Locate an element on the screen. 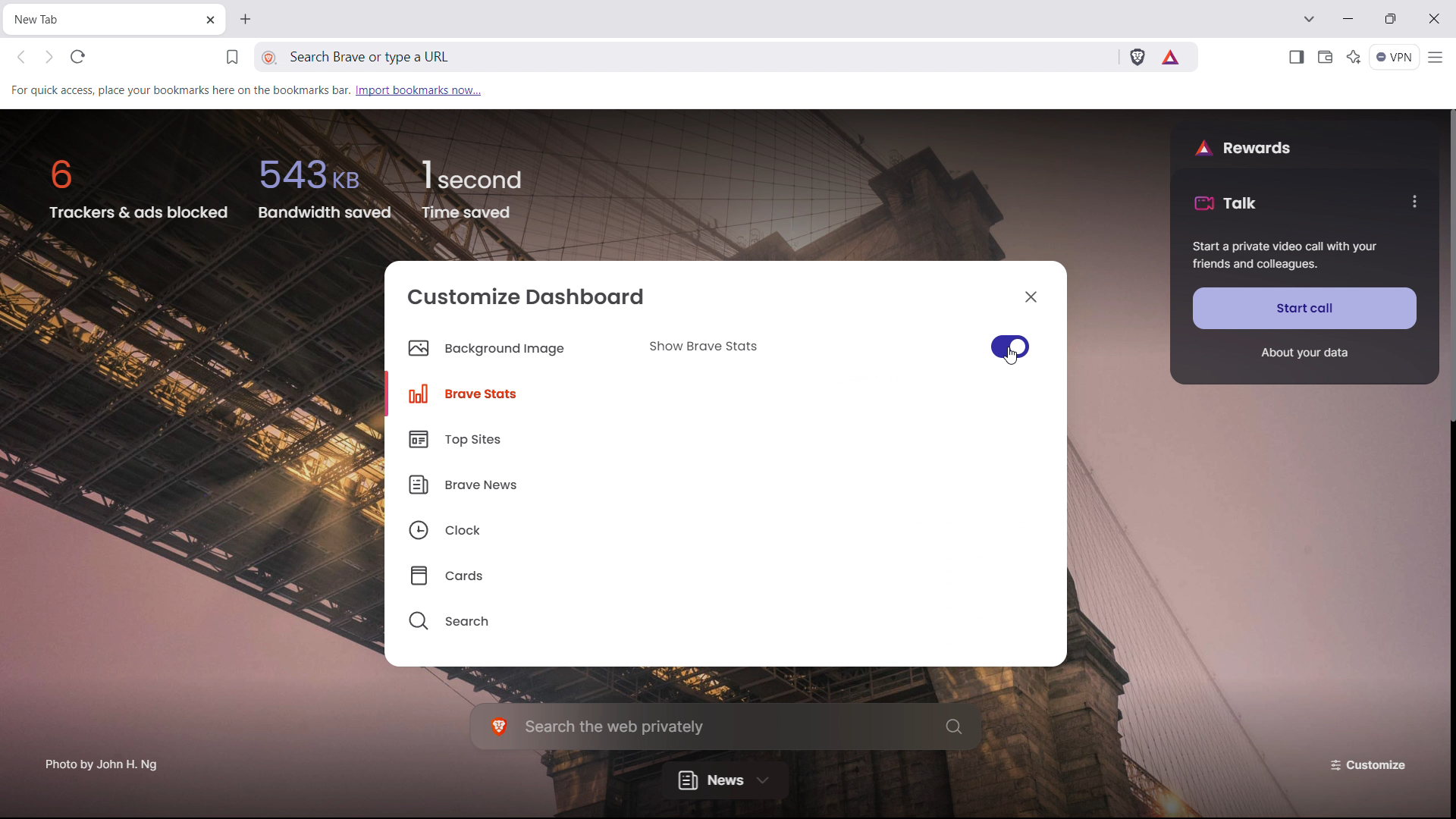  wallet is located at coordinates (1324, 58).